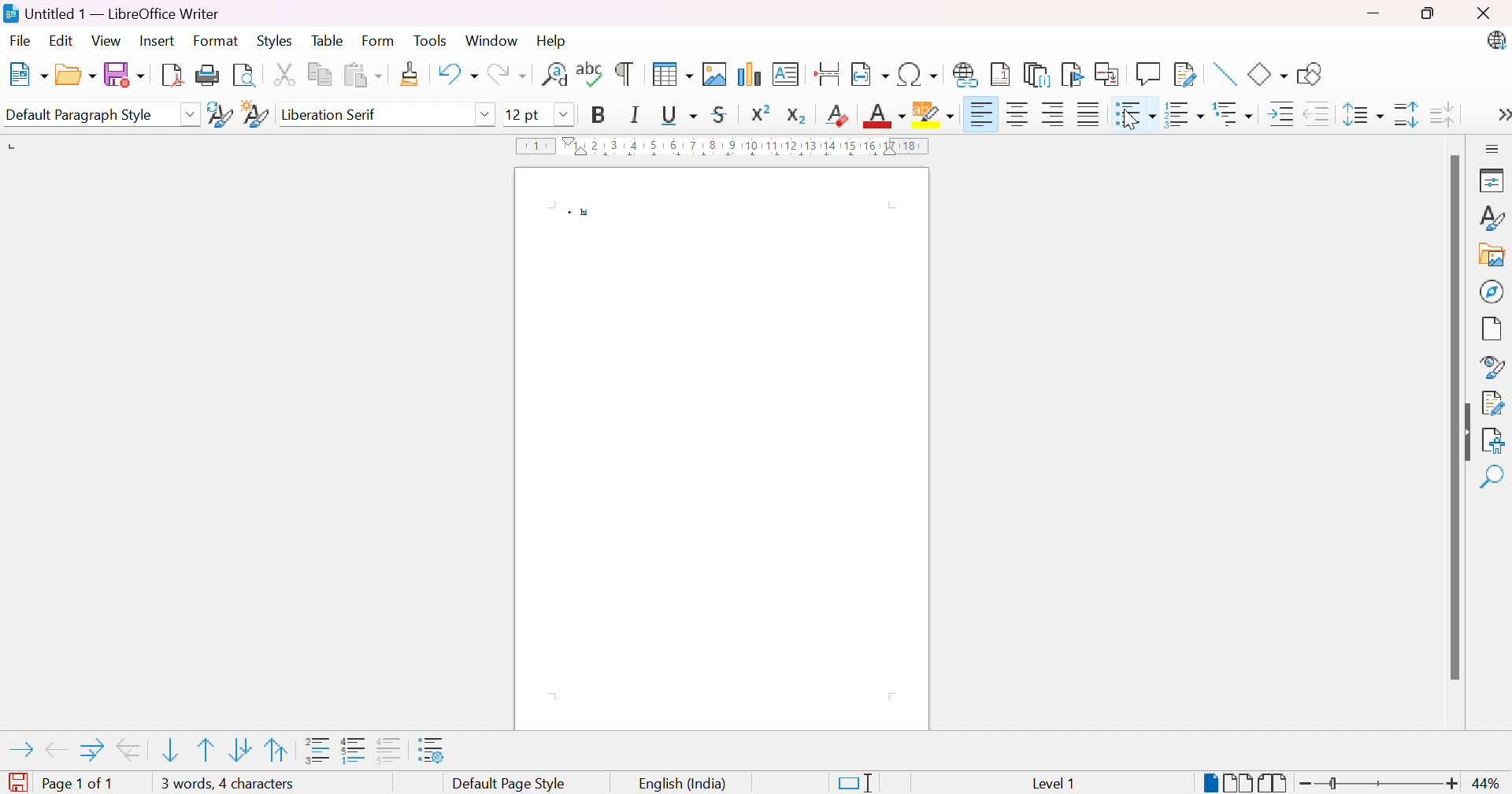 Image resolution: width=1512 pixels, height=794 pixels. Describe the element at coordinates (22, 750) in the screenshot. I see `Demote outline level` at that location.